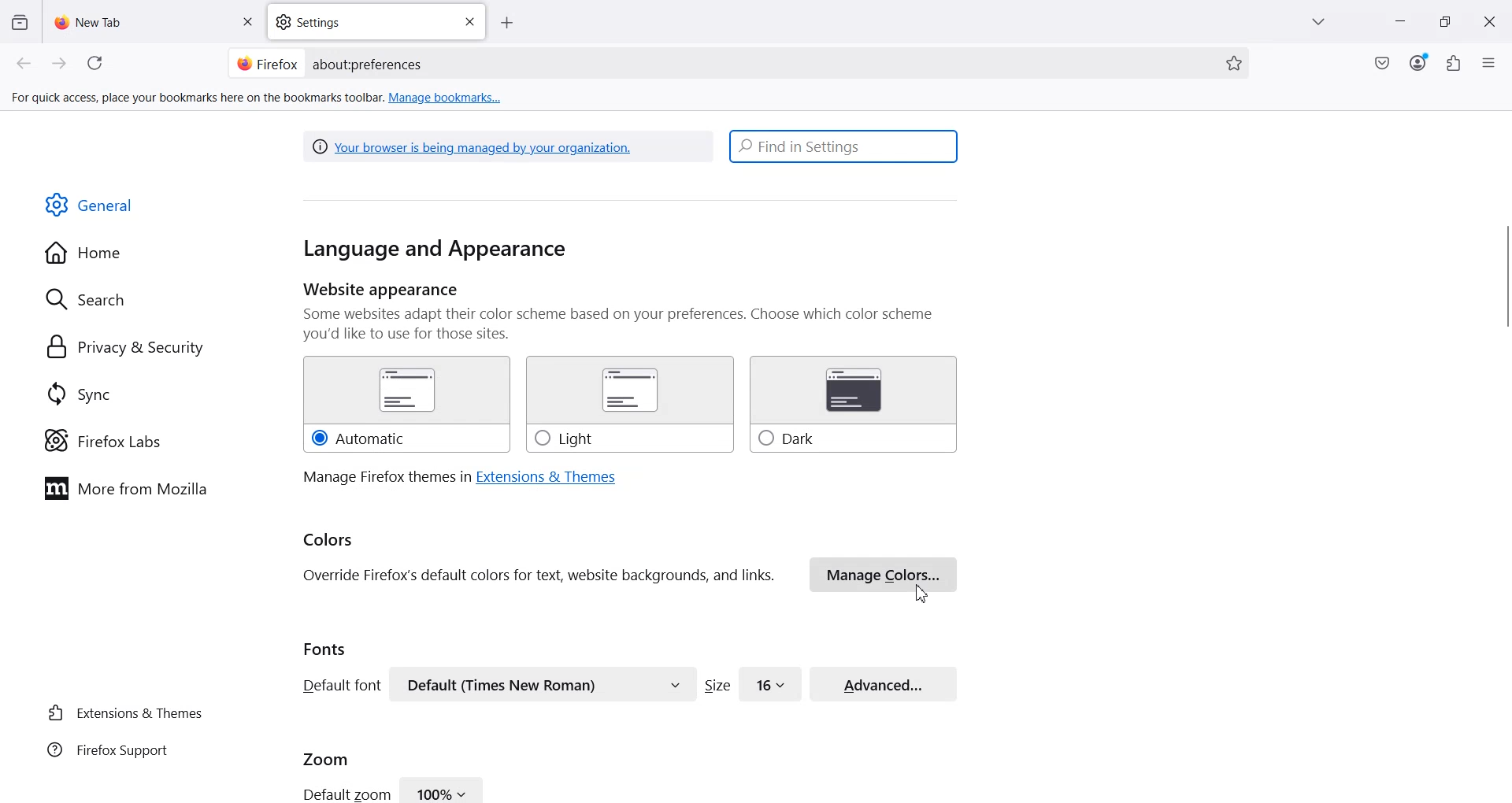  Describe the element at coordinates (1489, 22) in the screenshot. I see `Close` at that location.